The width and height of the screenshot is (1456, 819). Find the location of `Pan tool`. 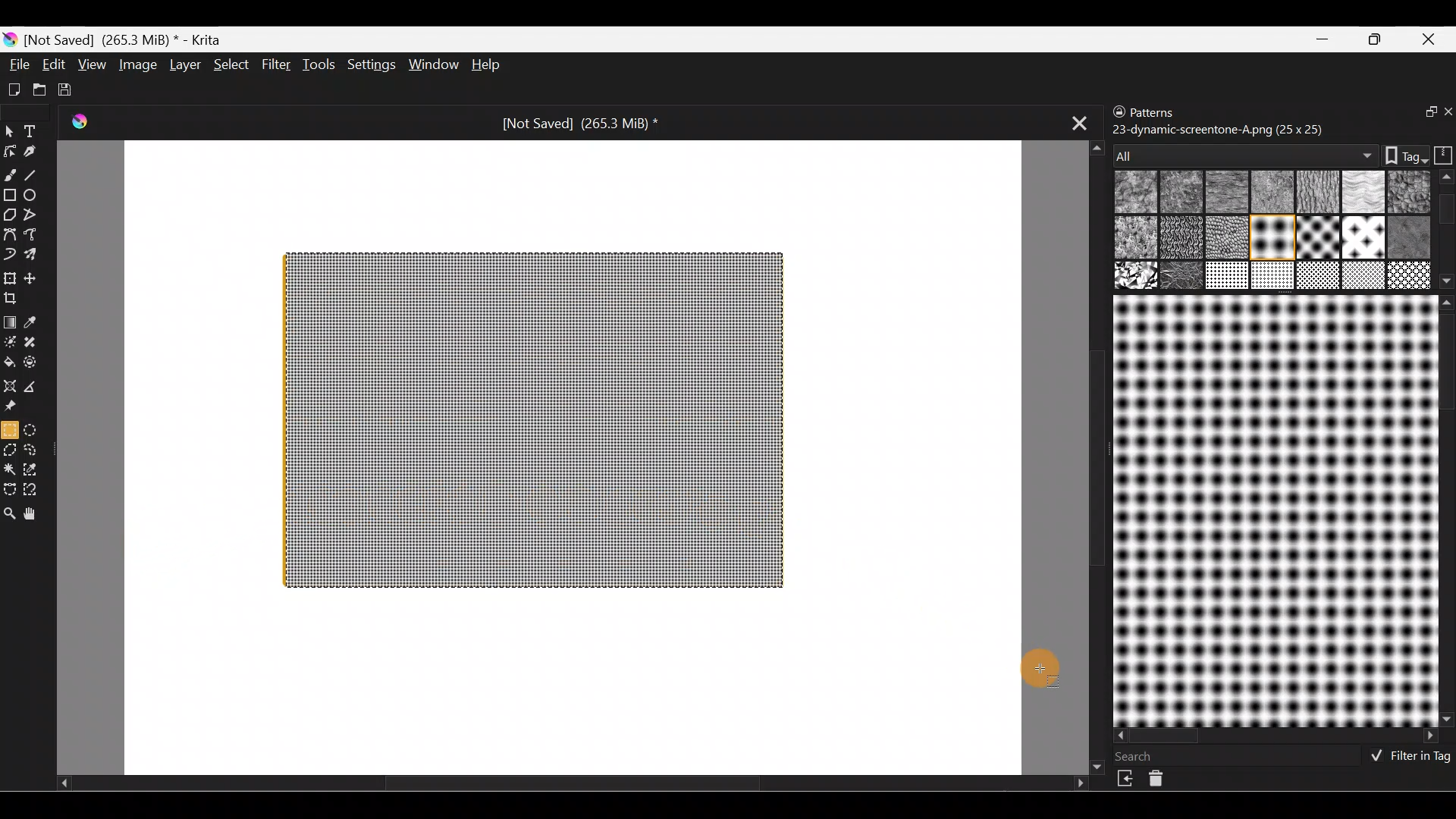

Pan tool is located at coordinates (37, 514).